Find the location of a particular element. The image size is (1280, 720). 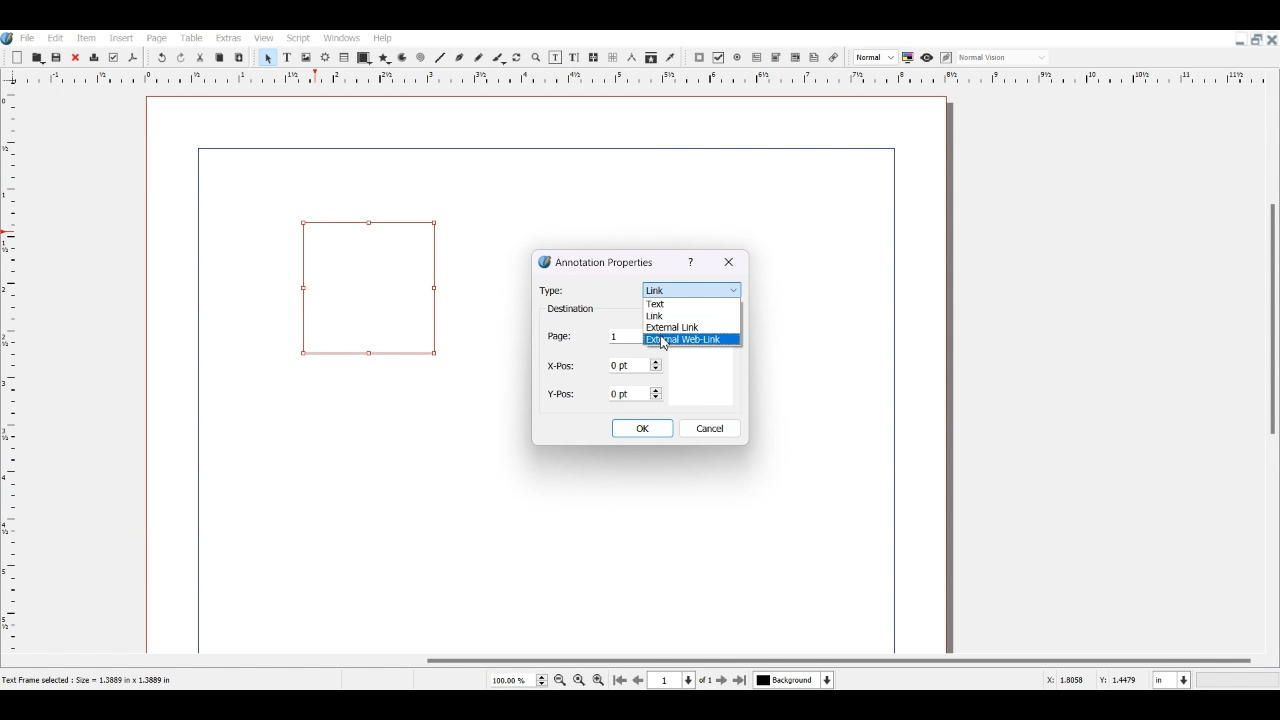

Close is located at coordinates (1272, 39).